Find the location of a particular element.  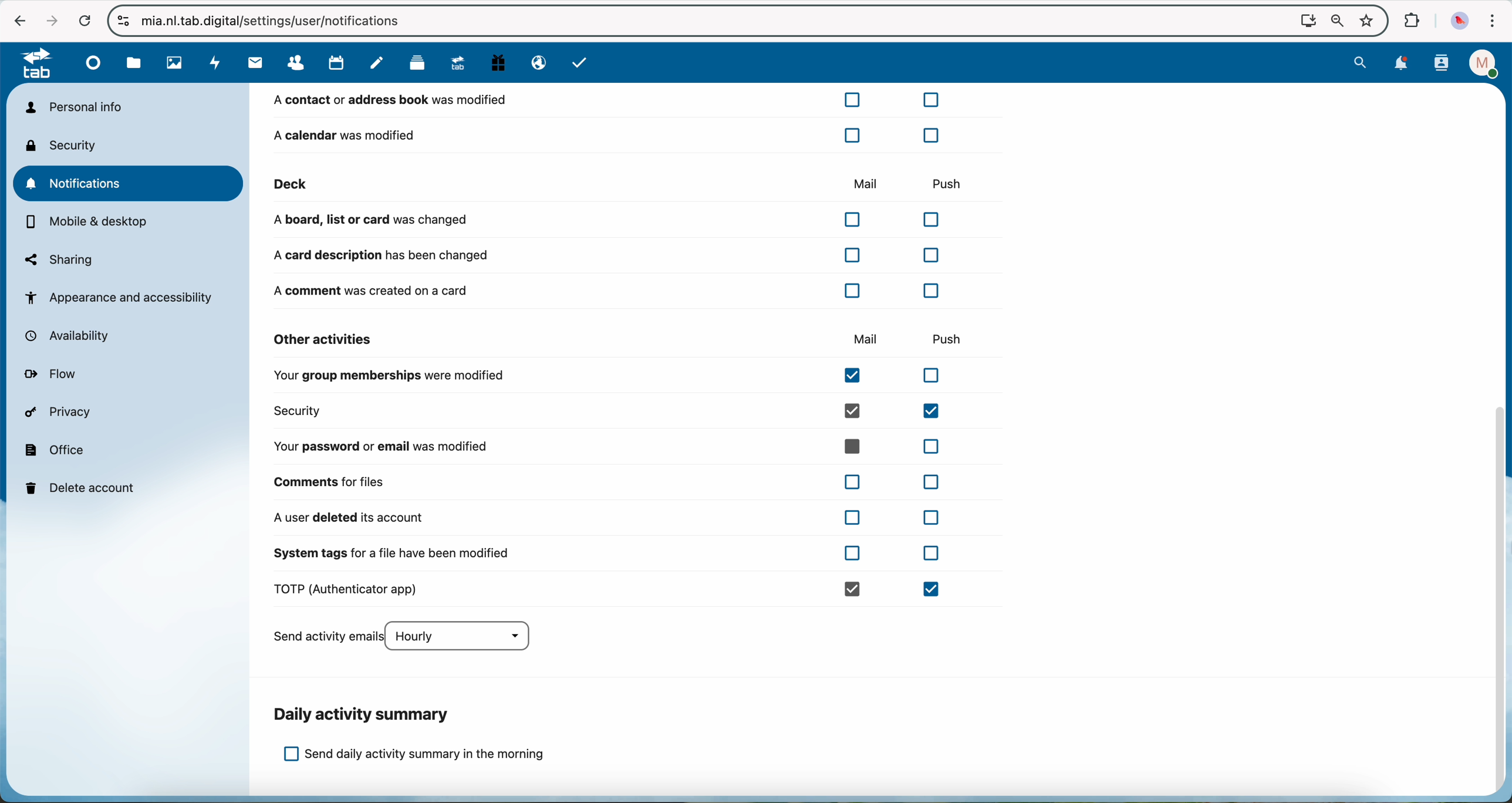

push is located at coordinates (946, 180).